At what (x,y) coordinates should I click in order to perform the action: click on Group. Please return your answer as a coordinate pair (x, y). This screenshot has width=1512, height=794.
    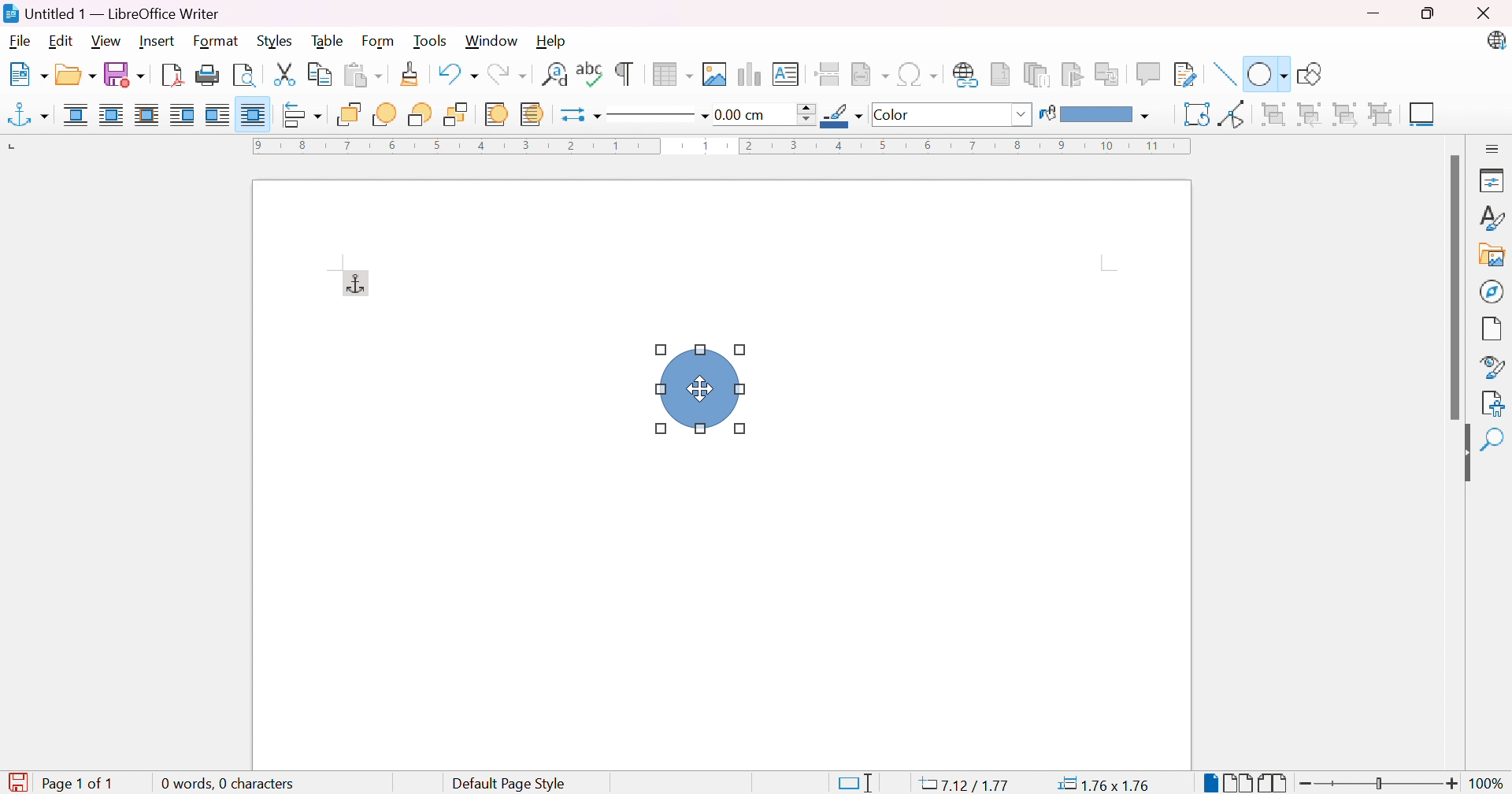
    Looking at the image, I should click on (1271, 113).